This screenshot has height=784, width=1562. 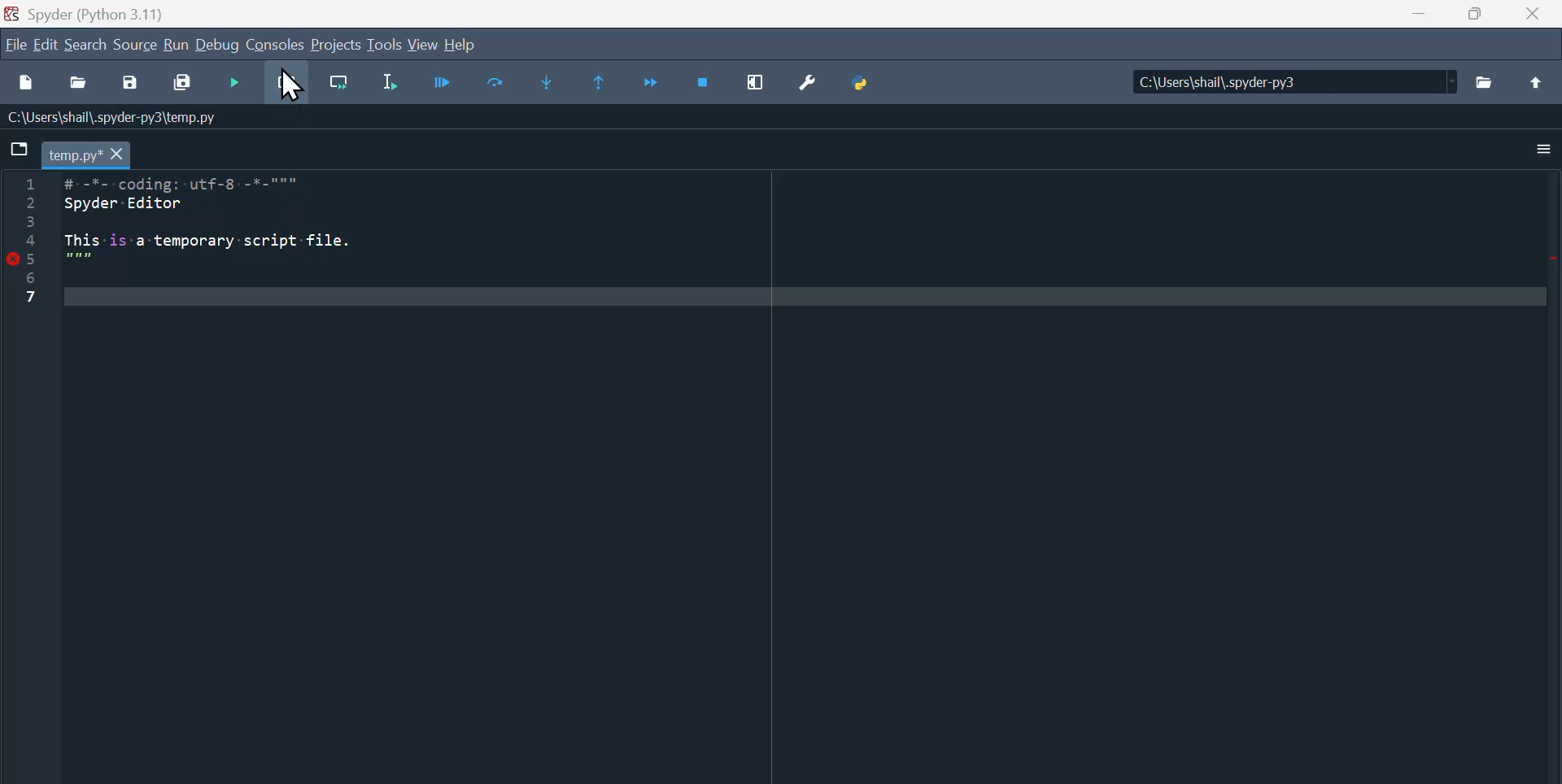 What do you see at coordinates (337, 44) in the screenshot?
I see `Projects` at bounding box center [337, 44].